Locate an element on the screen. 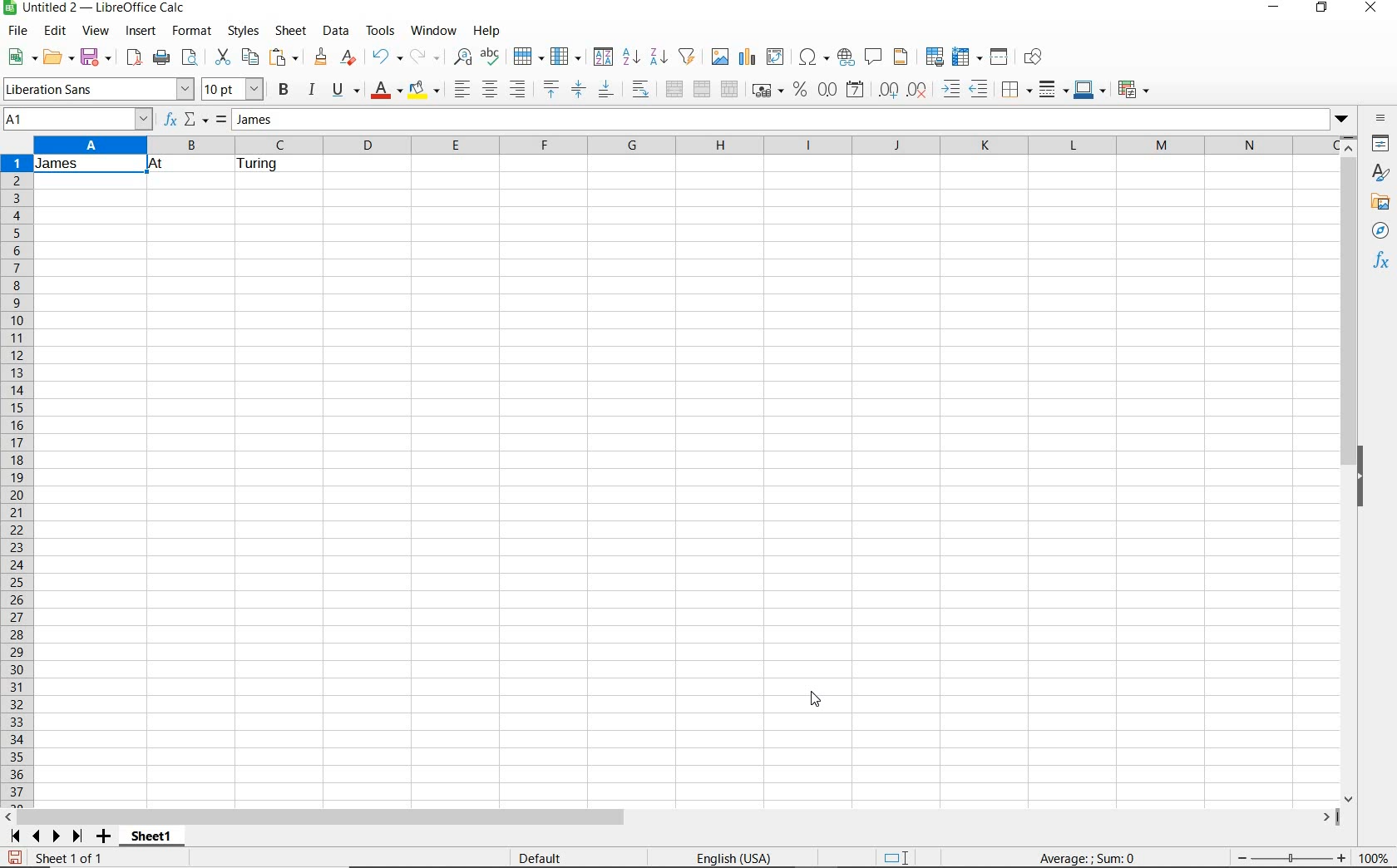  border color is located at coordinates (1090, 89).